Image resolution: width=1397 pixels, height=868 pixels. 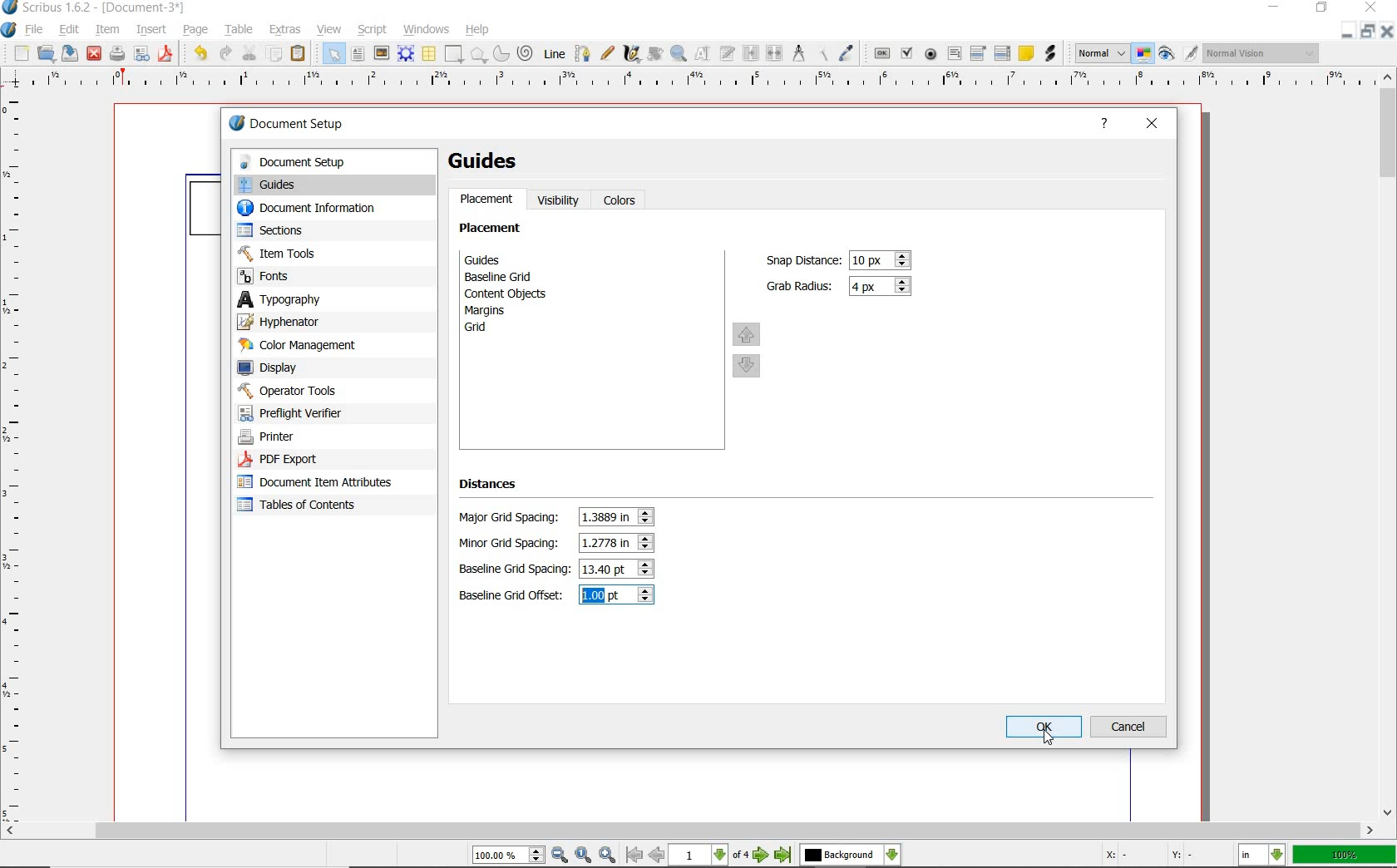 I want to click on copy item properties, so click(x=821, y=52).